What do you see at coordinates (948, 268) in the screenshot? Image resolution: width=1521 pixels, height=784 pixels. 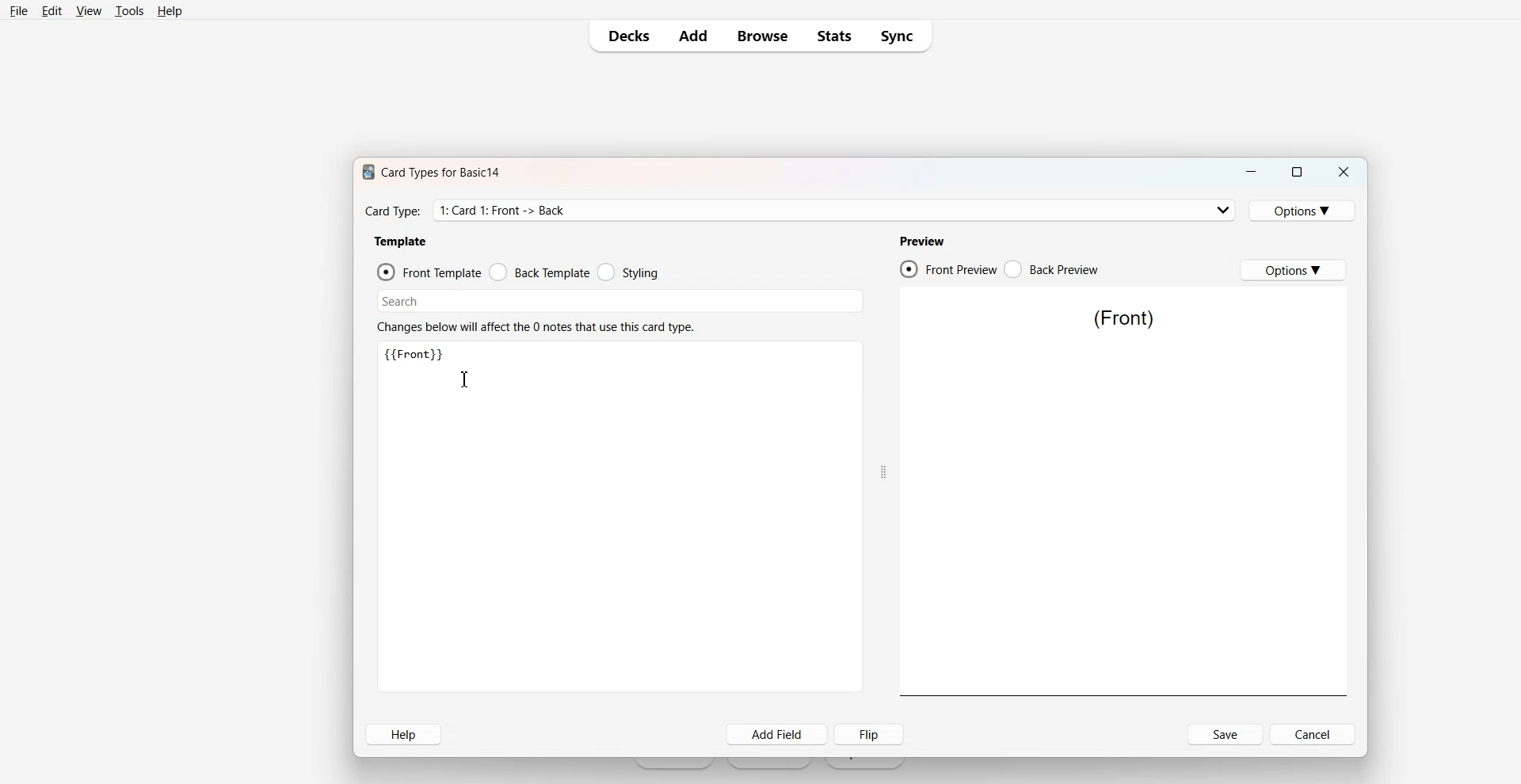 I see `Front Preview` at bounding box center [948, 268].